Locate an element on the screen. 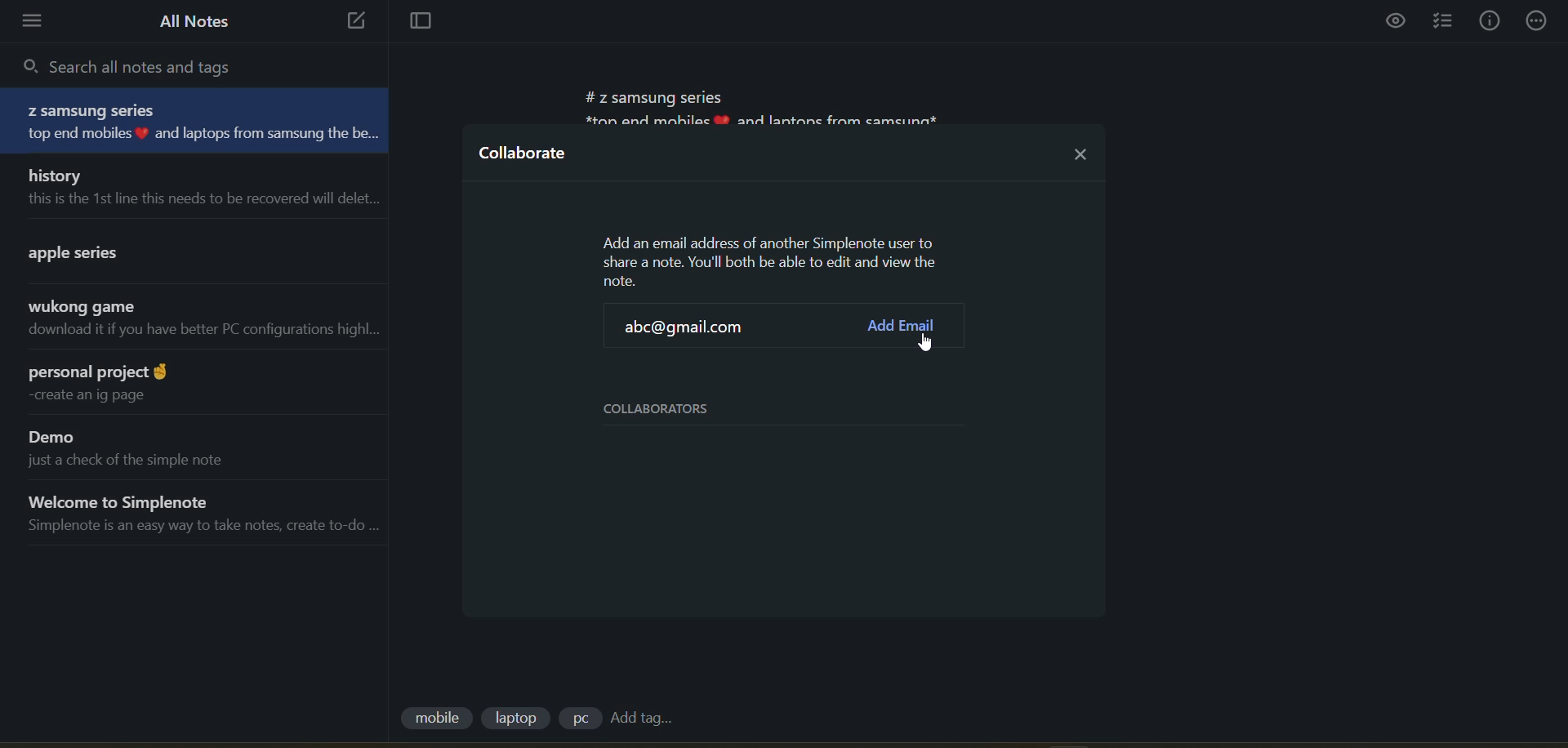  note title and preview is located at coordinates (196, 514).